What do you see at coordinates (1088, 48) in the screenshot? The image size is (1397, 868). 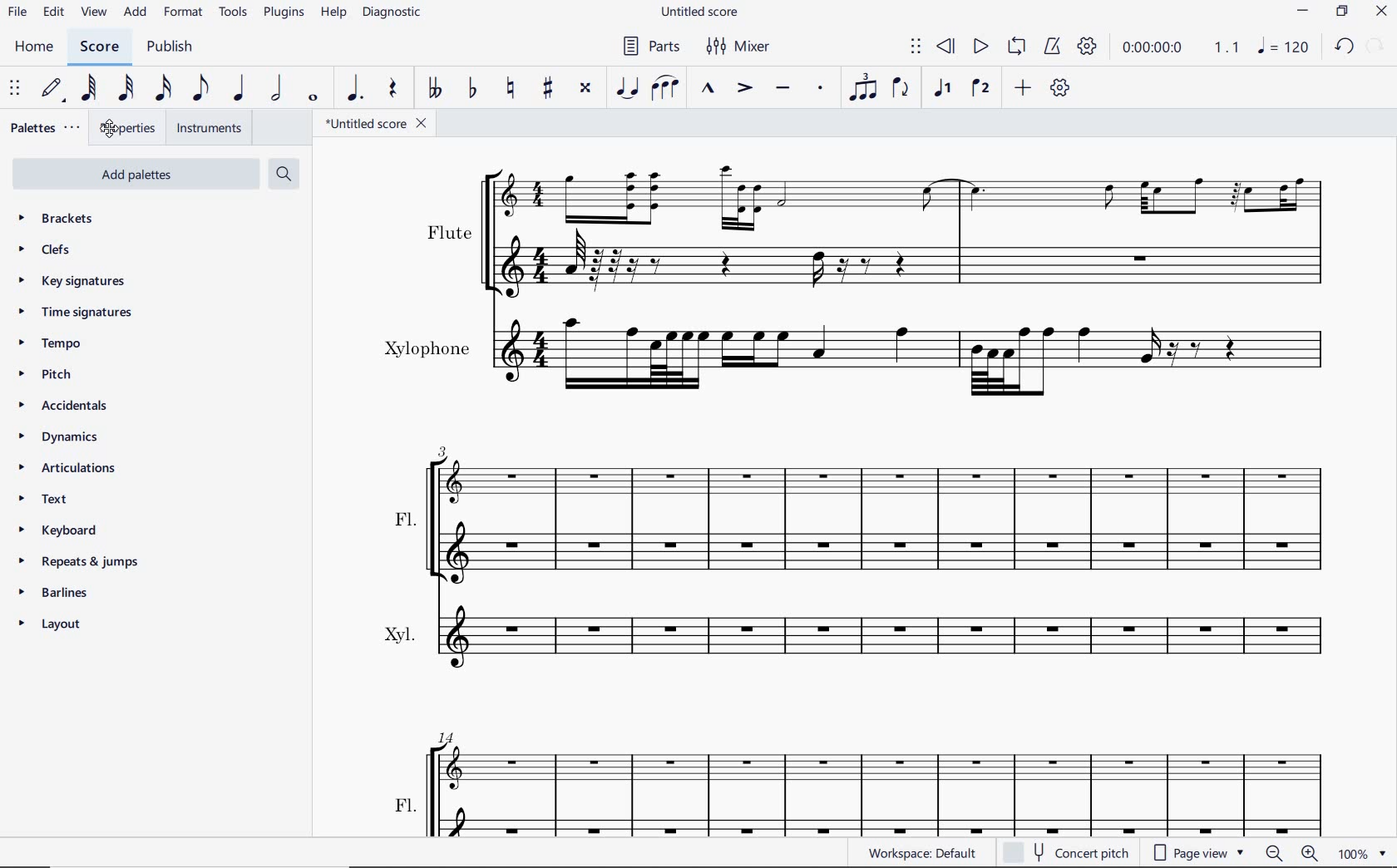 I see `PLAYBACK SETTINGS` at bounding box center [1088, 48].